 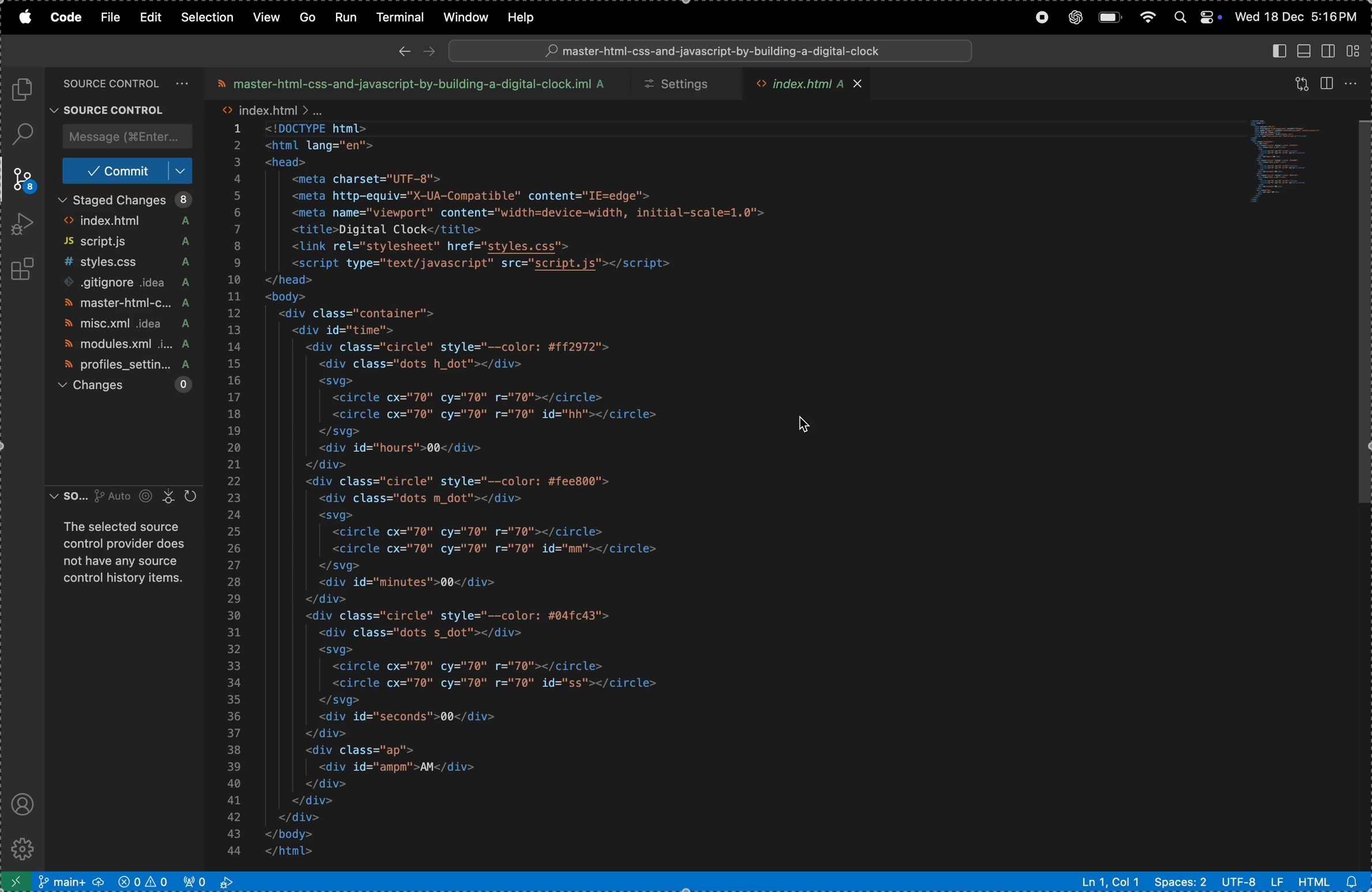 What do you see at coordinates (1329, 882) in the screenshot?
I see `html alert` at bounding box center [1329, 882].